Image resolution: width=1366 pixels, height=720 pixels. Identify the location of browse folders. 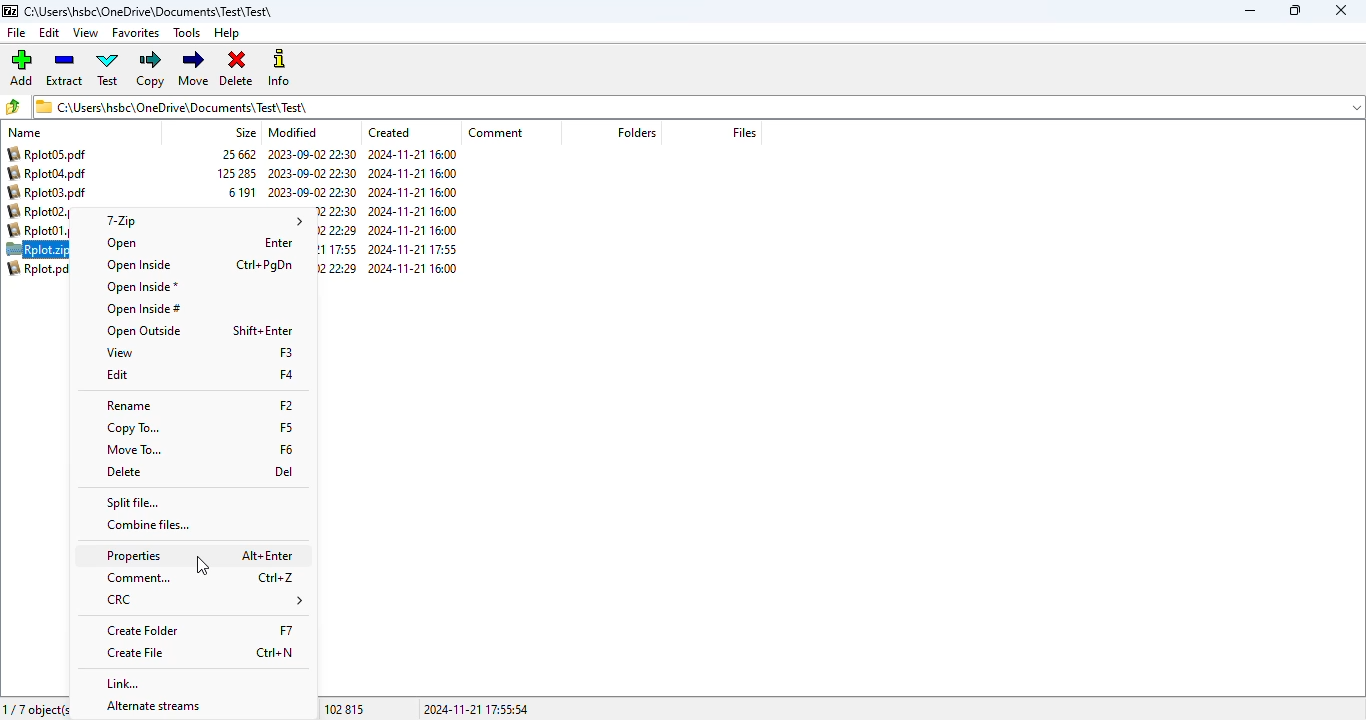
(14, 106).